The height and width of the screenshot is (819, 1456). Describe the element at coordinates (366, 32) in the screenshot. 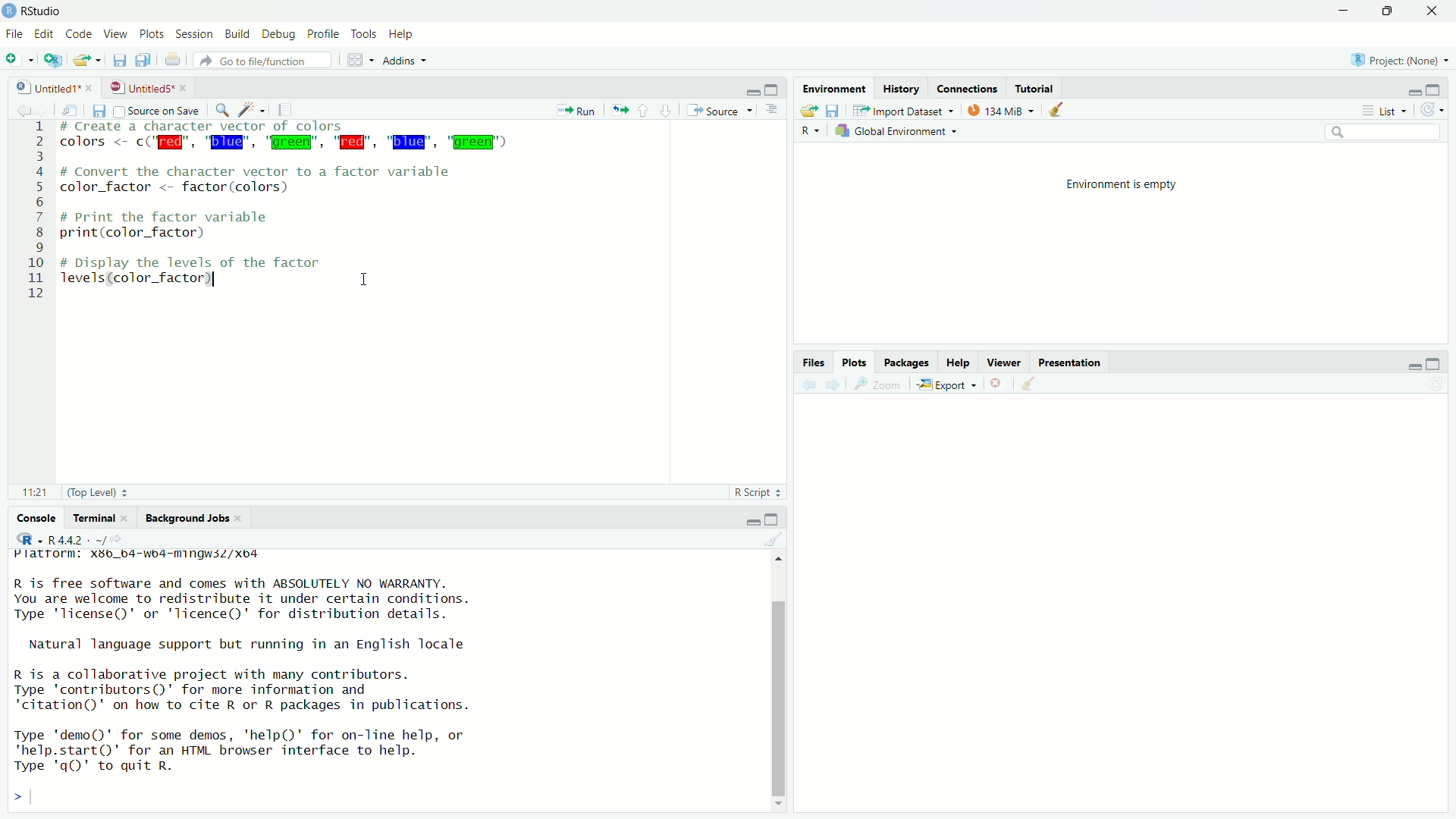

I see `tools` at that location.